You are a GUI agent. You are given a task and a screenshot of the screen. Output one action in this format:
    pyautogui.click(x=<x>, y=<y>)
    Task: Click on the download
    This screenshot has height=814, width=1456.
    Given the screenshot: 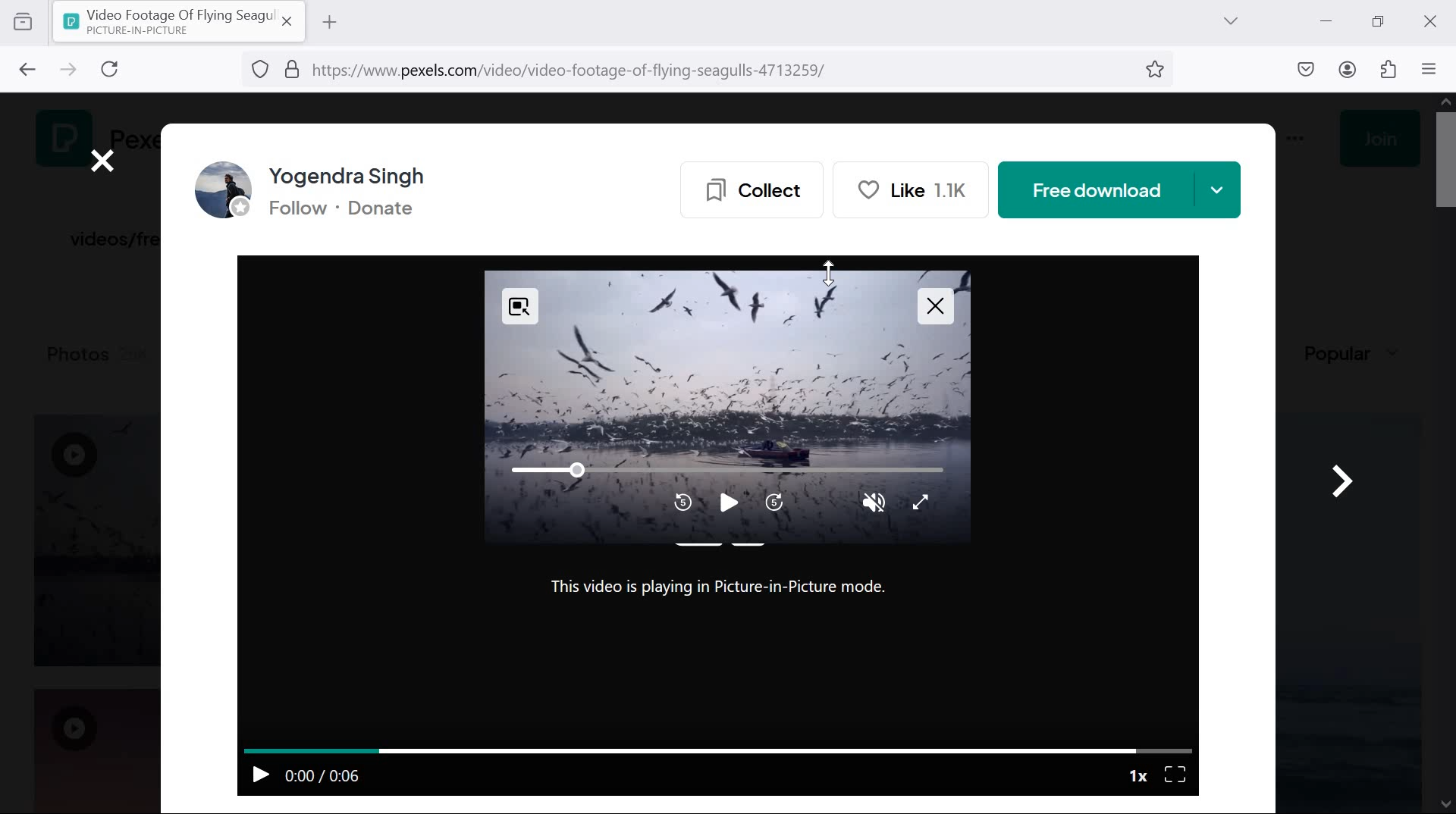 What is the action you would take?
    pyautogui.click(x=1307, y=67)
    